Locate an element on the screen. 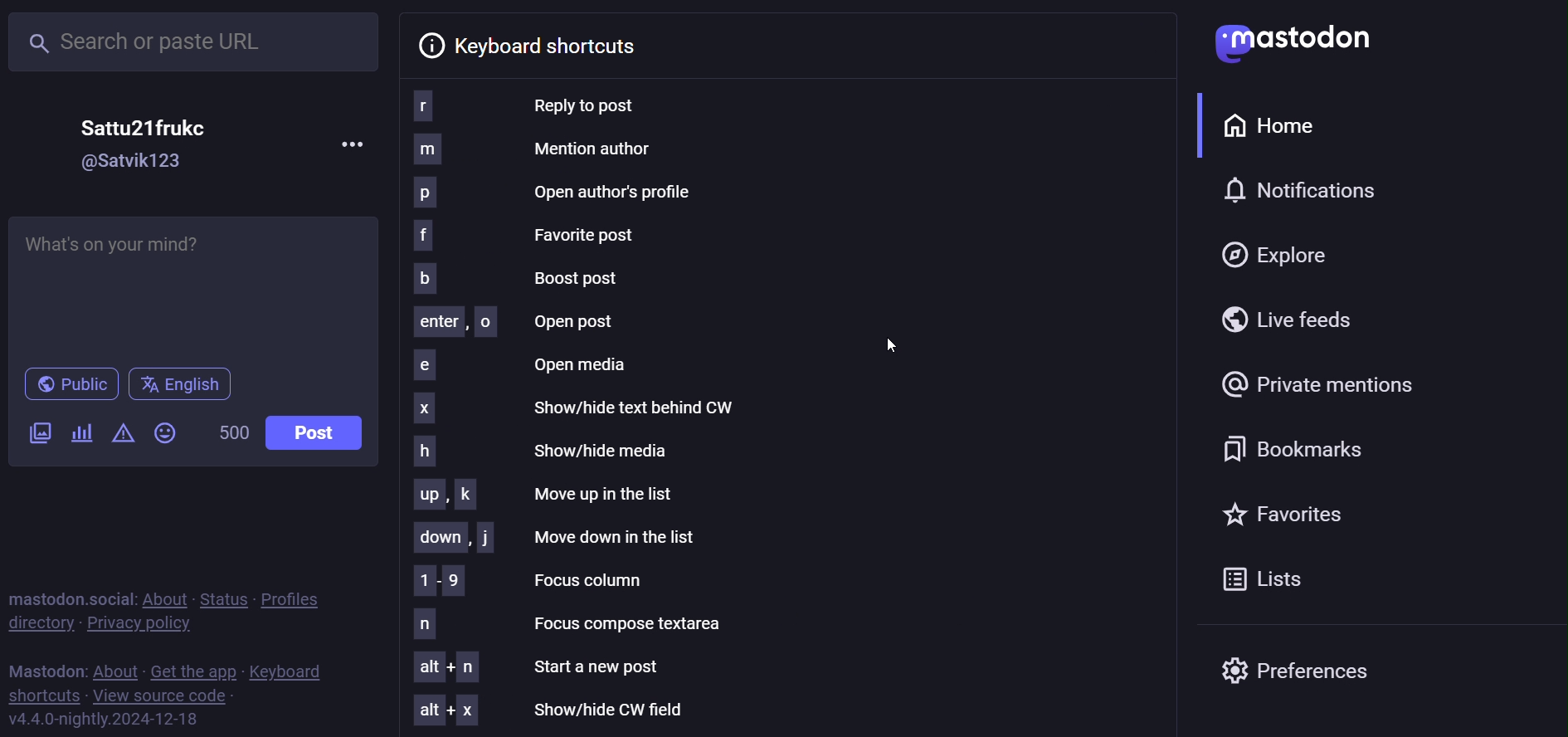  keyboard shortcuts is located at coordinates (541, 44).